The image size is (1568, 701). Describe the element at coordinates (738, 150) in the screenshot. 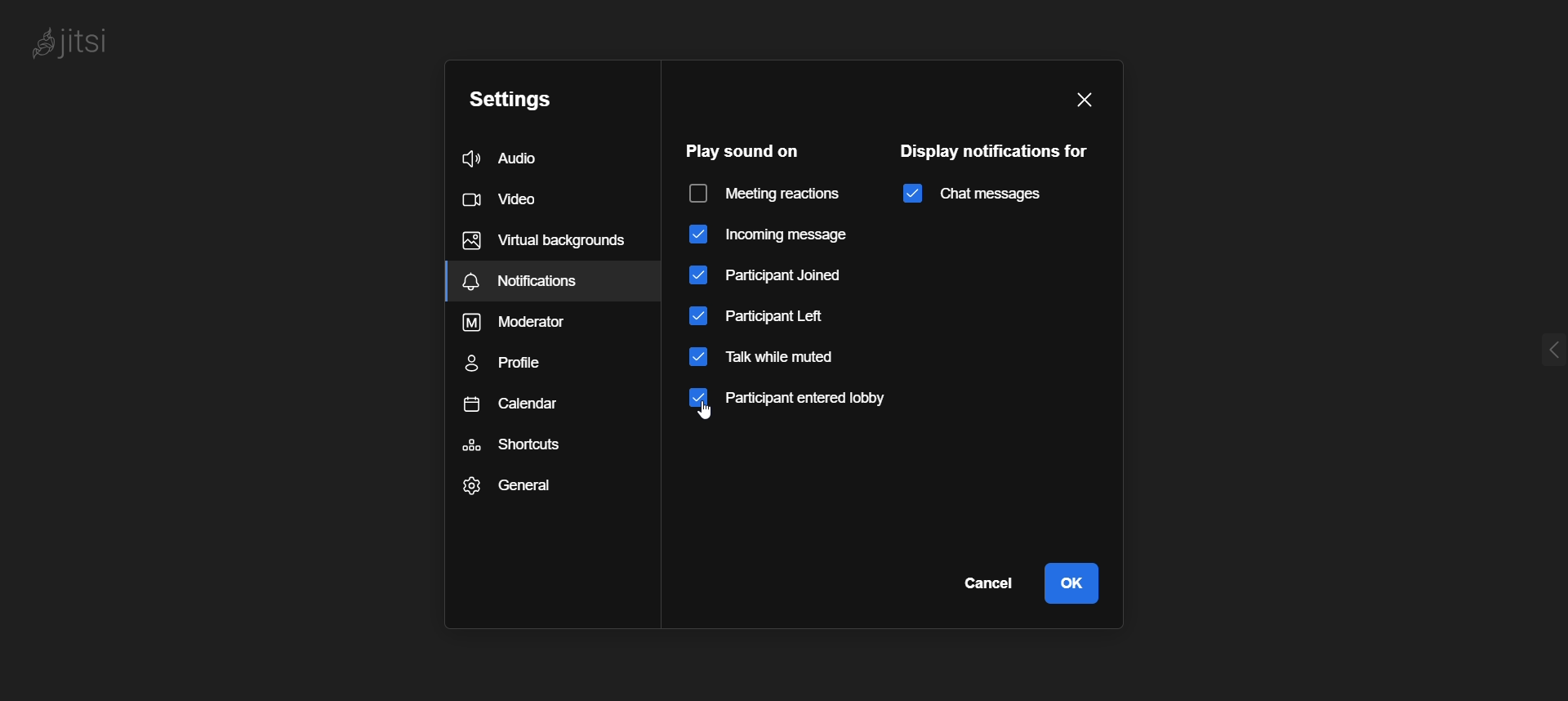

I see `Play sound on` at that location.